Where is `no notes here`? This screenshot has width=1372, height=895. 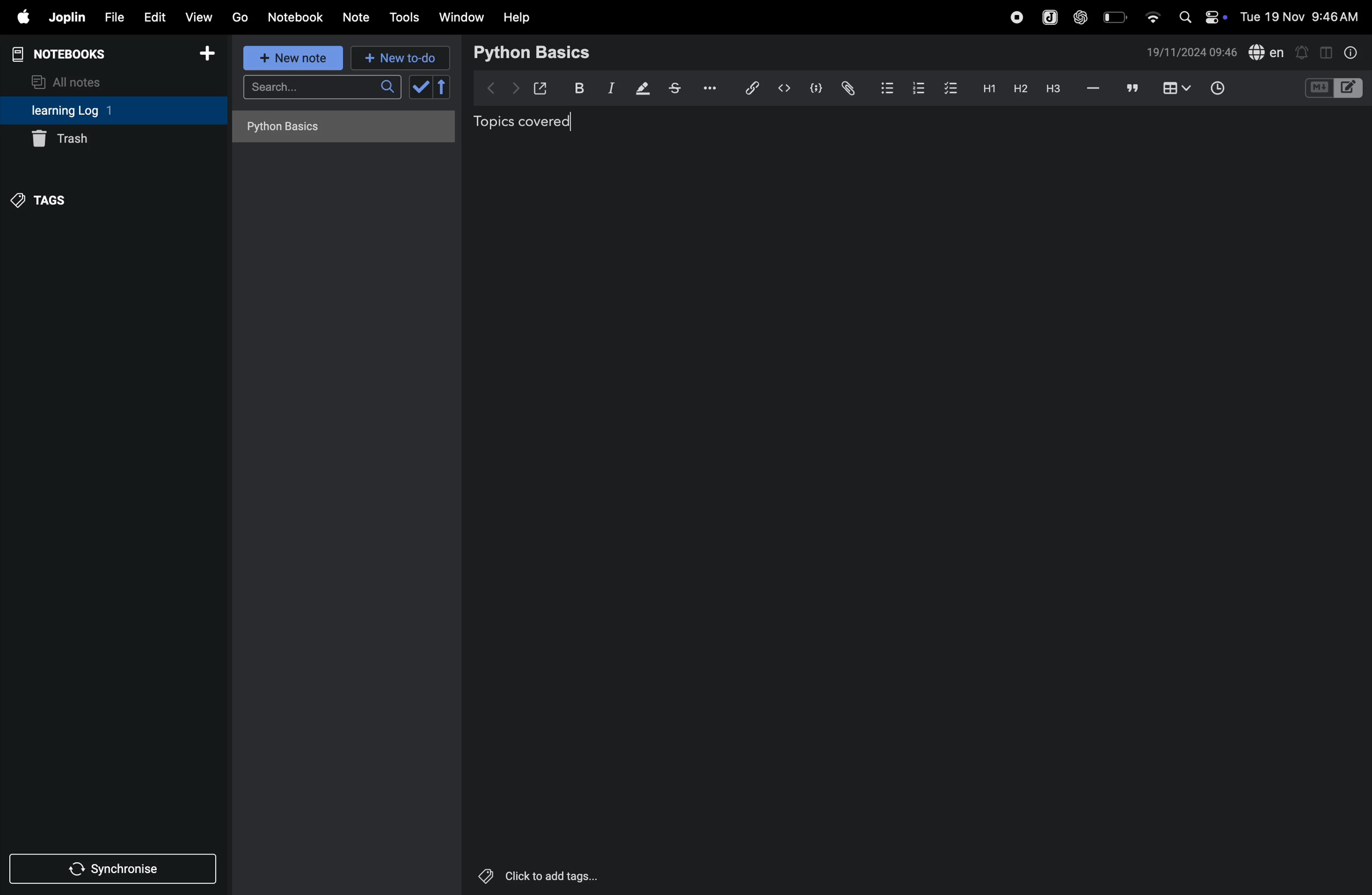
no notes here is located at coordinates (340, 130).